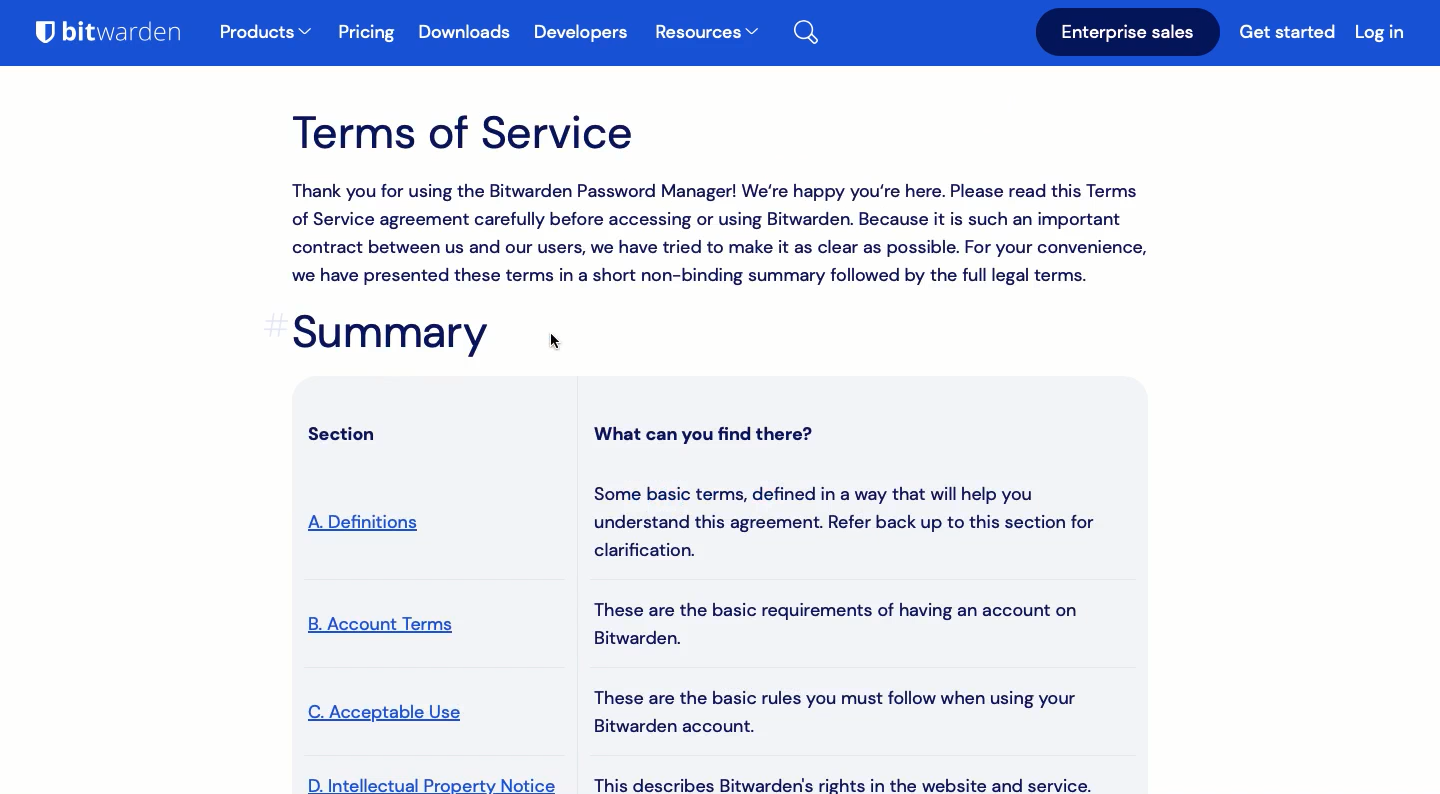 The image size is (1440, 794). Describe the element at coordinates (349, 437) in the screenshot. I see `section` at that location.